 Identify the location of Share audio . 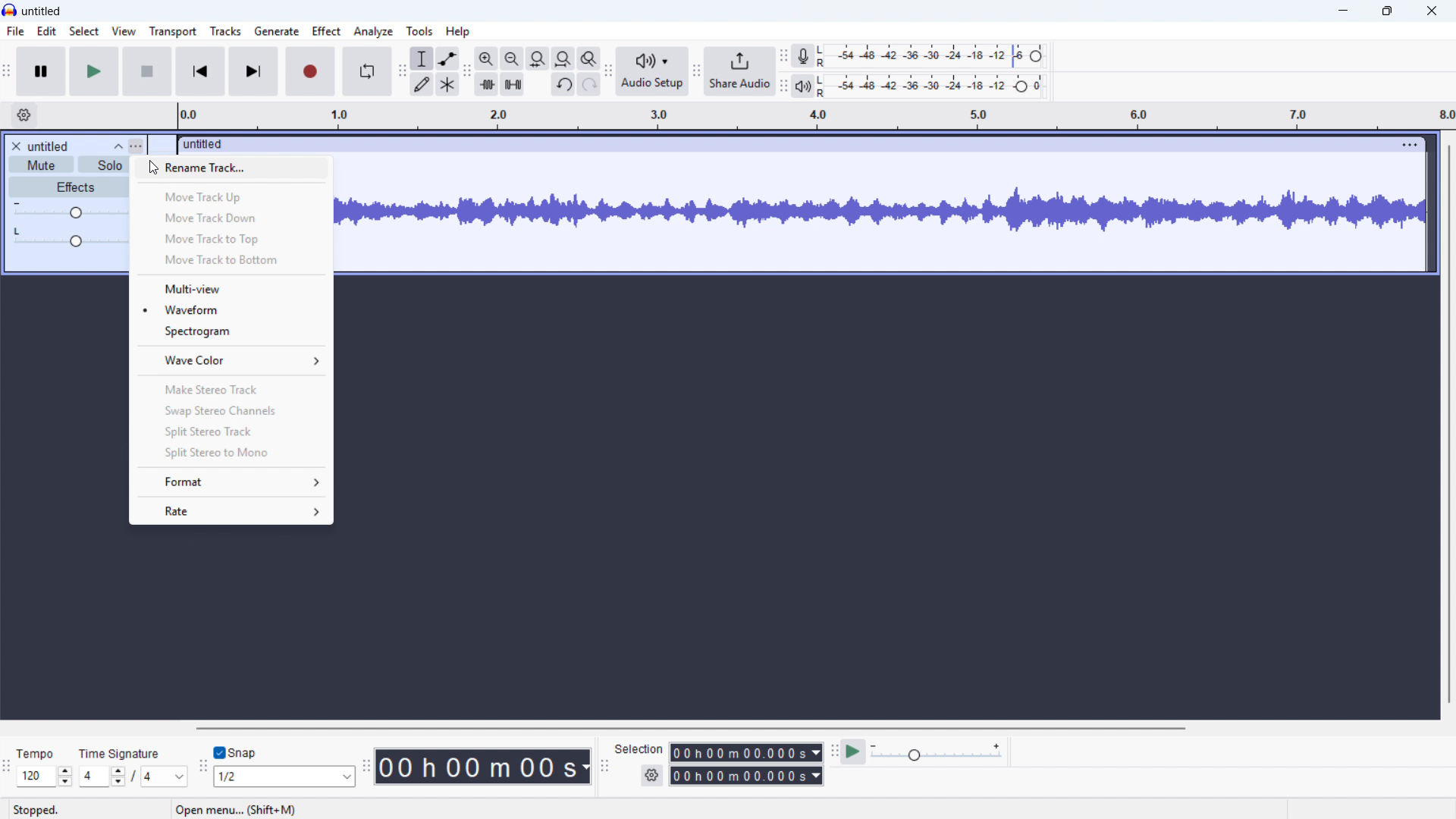
(740, 72).